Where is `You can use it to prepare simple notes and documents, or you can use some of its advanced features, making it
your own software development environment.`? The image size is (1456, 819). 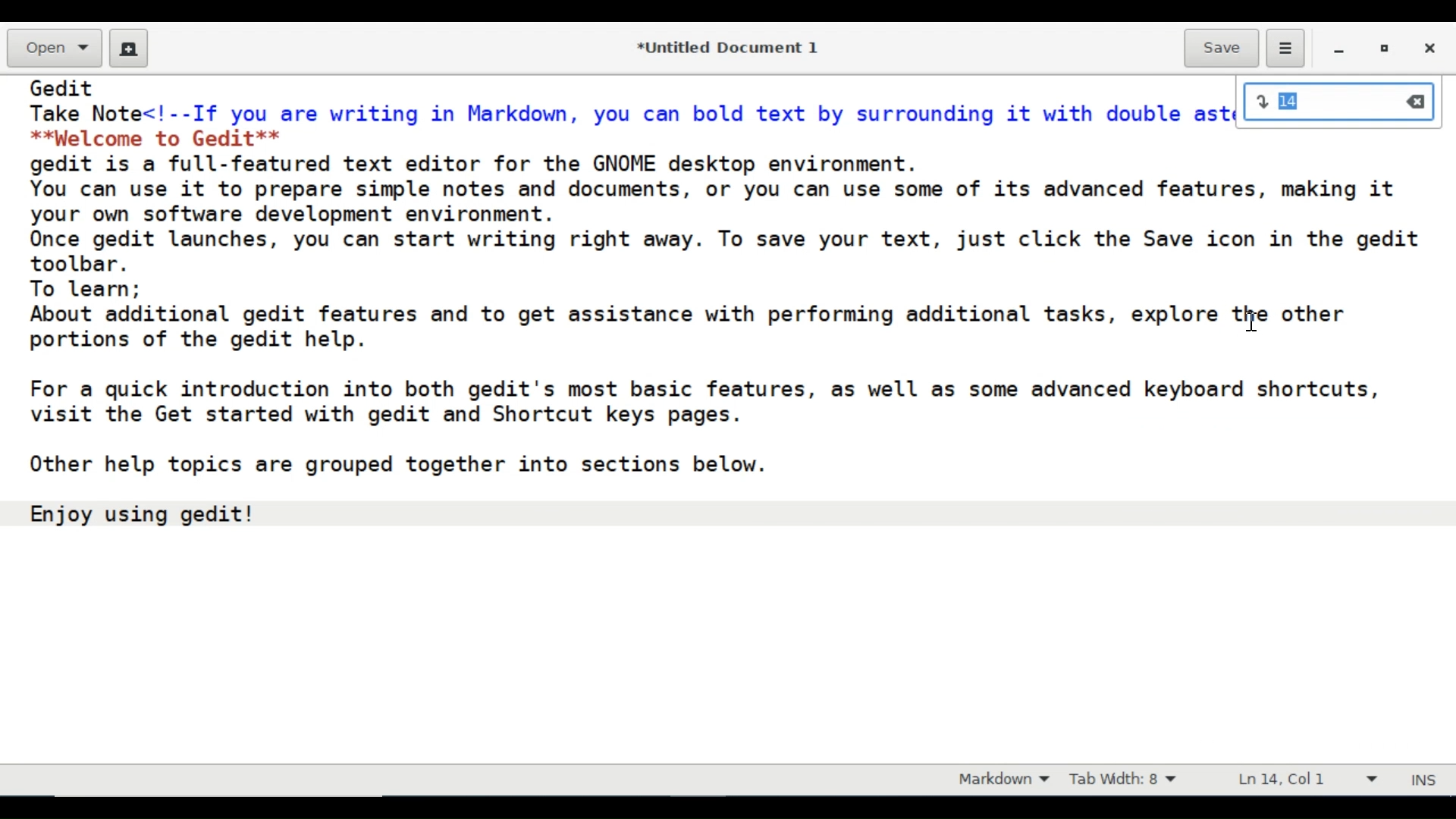 You can use it to prepare simple notes and documents, or you can use some of its advanced features, making it
your own software development environment. is located at coordinates (726, 201).